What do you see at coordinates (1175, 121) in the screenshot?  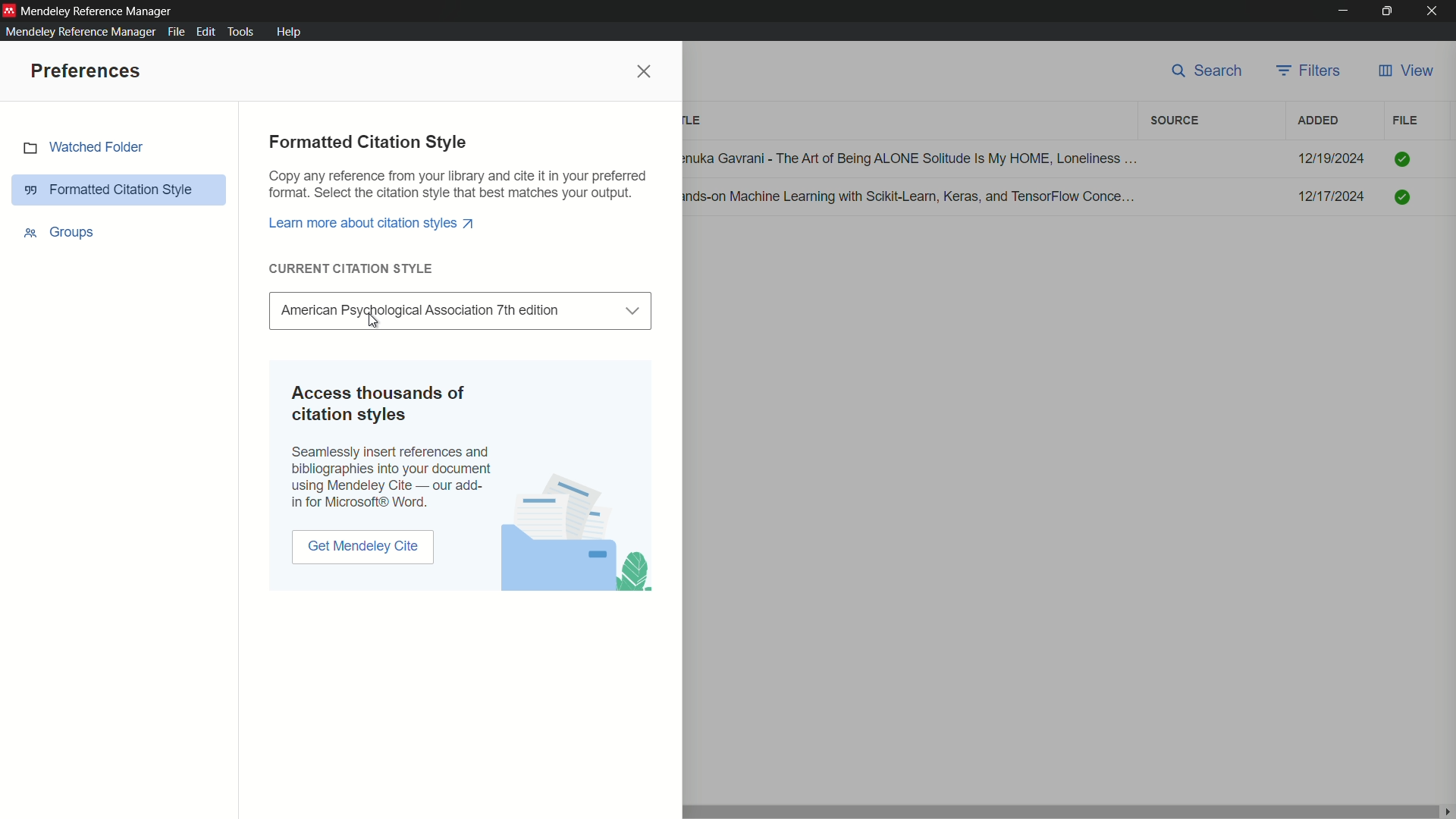 I see `filters` at bounding box center [1175, 121].